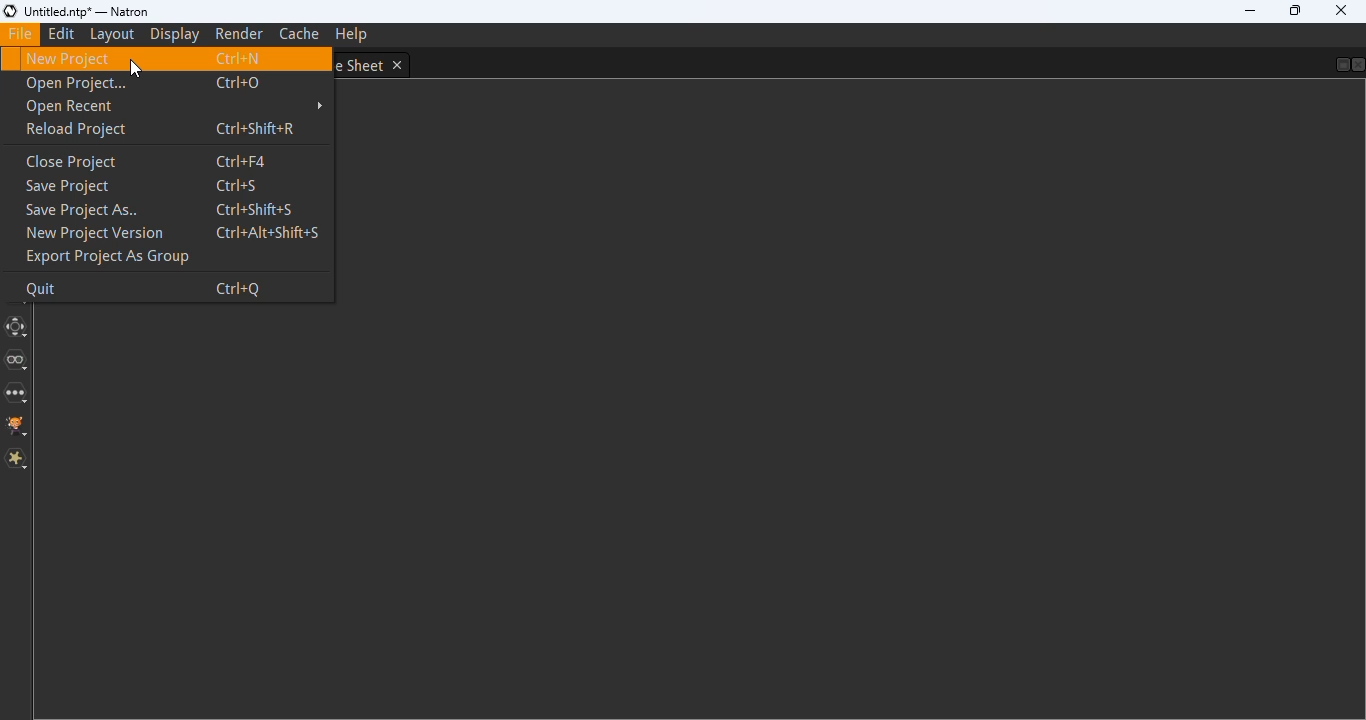  Describe the element at coordinates (18, 362) in the screenshot. I see `views` at that location.